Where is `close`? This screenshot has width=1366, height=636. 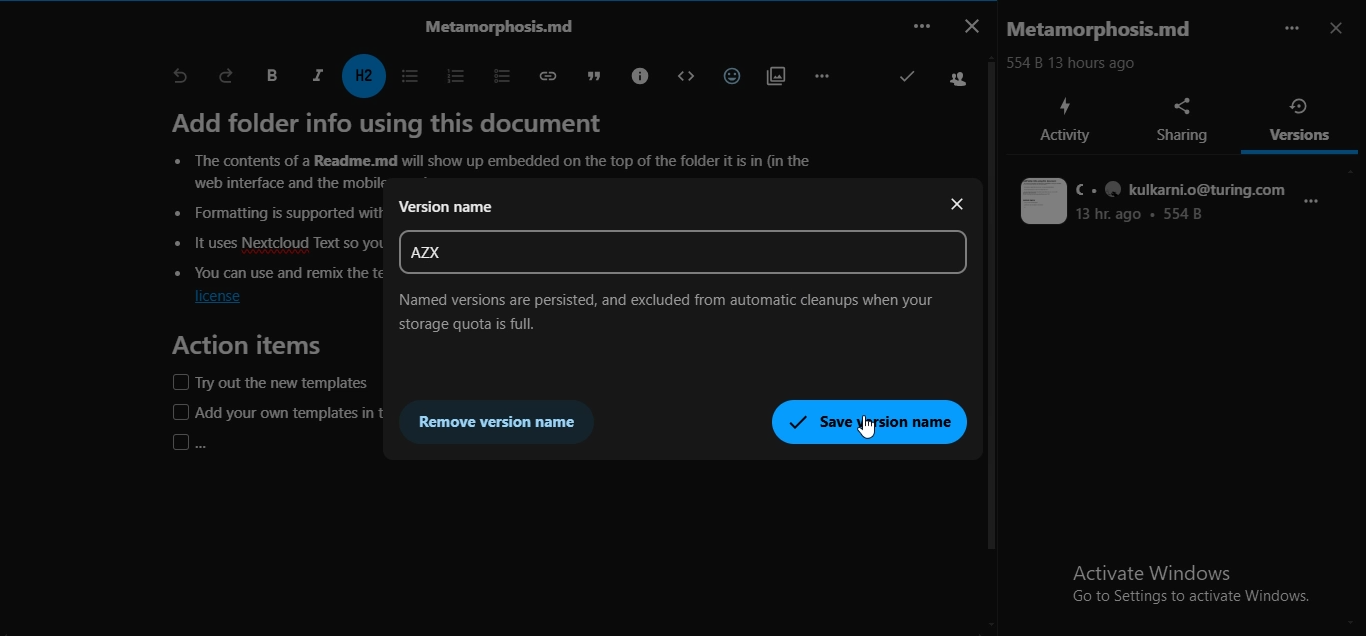 close is located at coordinates (1339, 30).